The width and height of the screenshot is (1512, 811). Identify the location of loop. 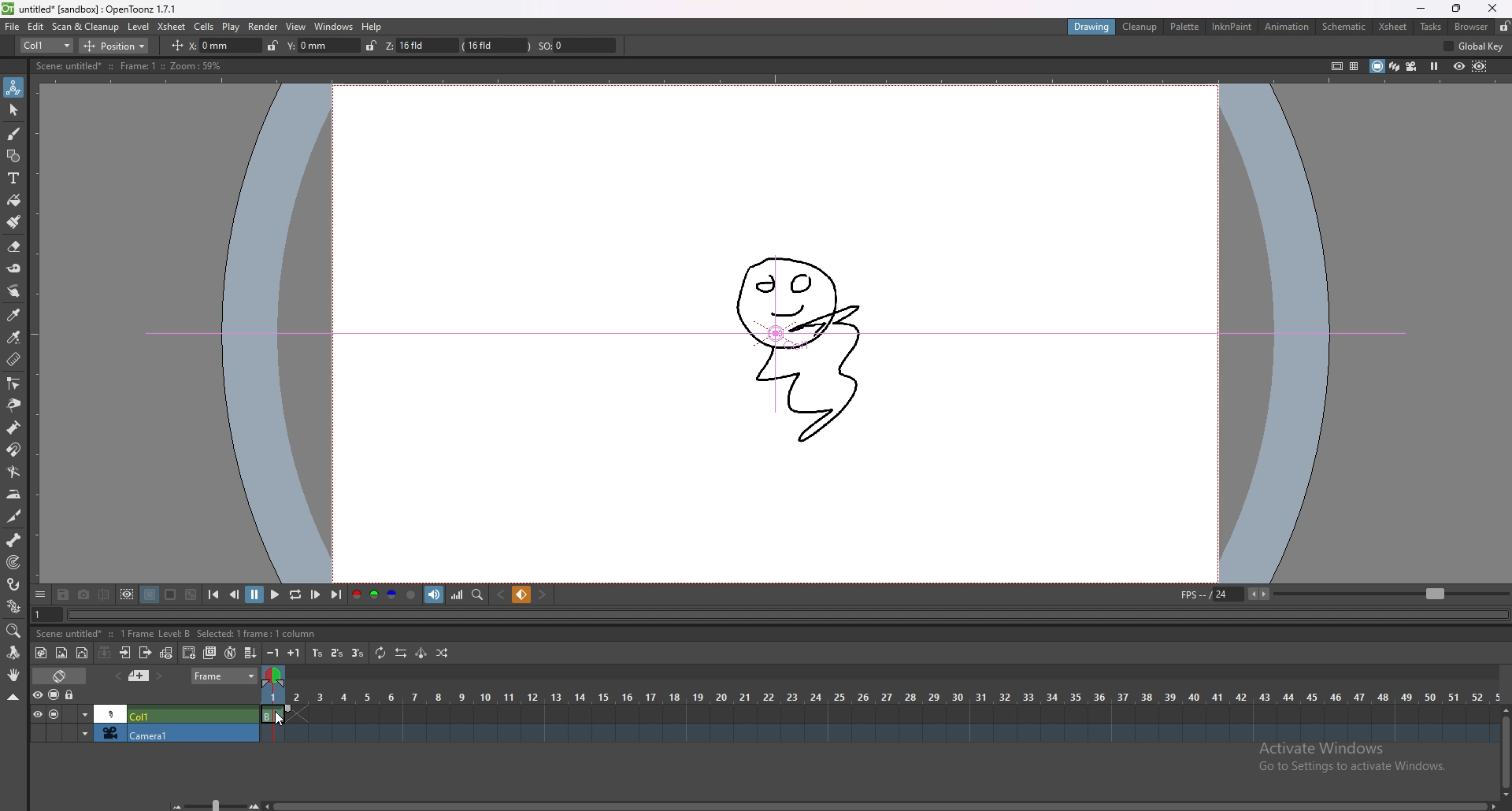
(295, 594).